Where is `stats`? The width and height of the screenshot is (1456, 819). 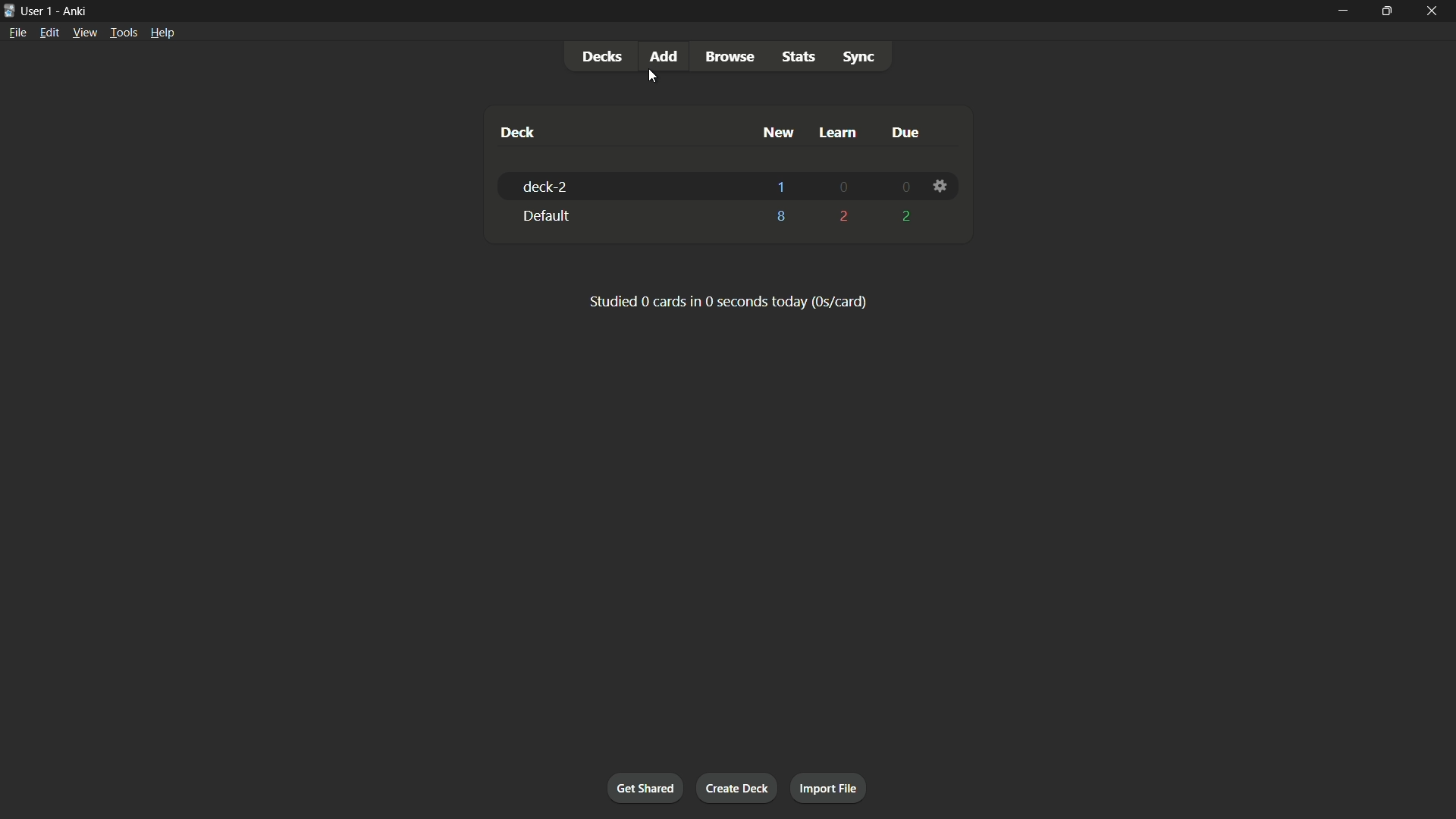 stats is located at coordinates (799, 56).